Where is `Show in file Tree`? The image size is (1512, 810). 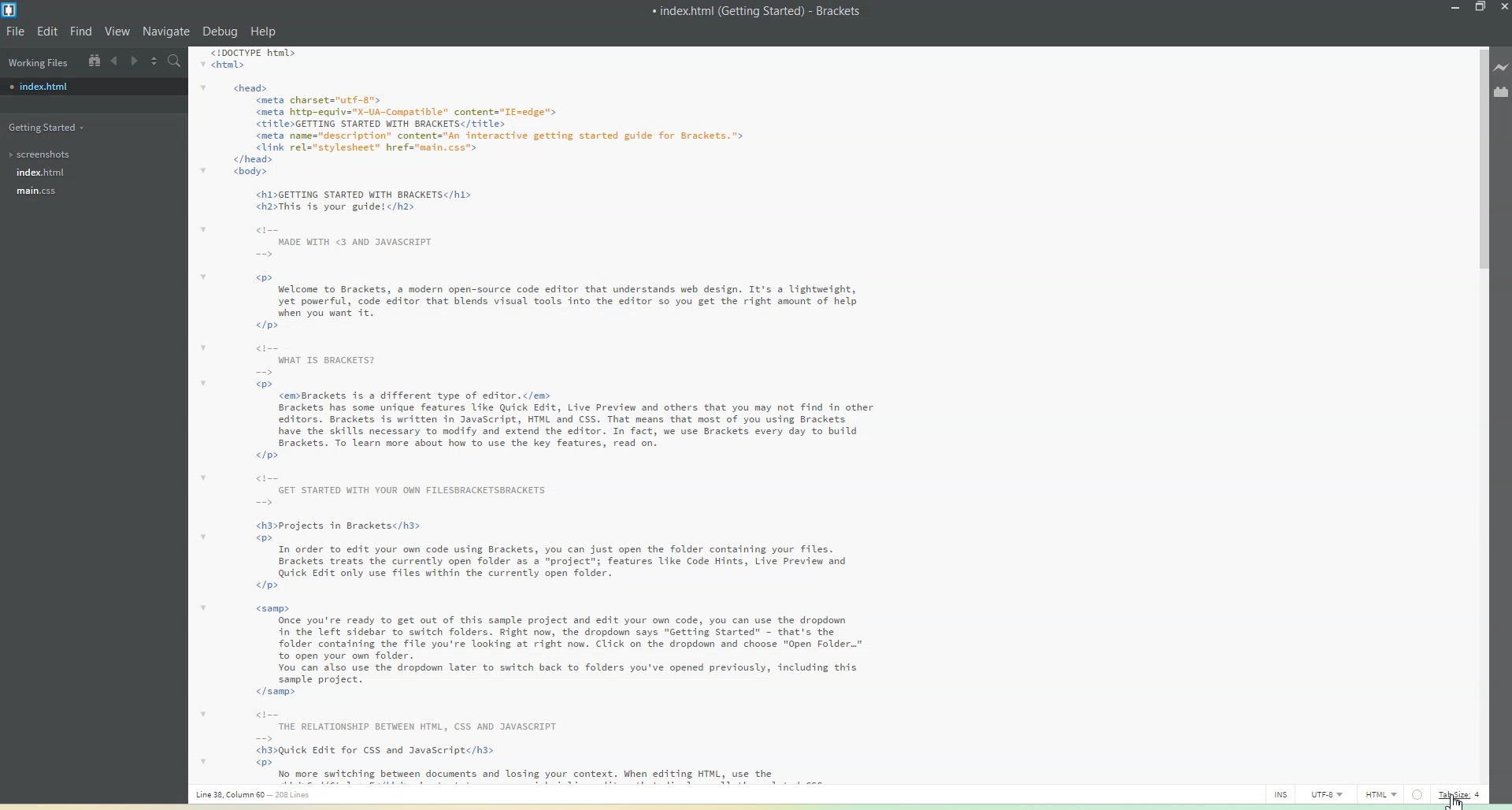
Show in file Tree is located at coordinates (94, 61).